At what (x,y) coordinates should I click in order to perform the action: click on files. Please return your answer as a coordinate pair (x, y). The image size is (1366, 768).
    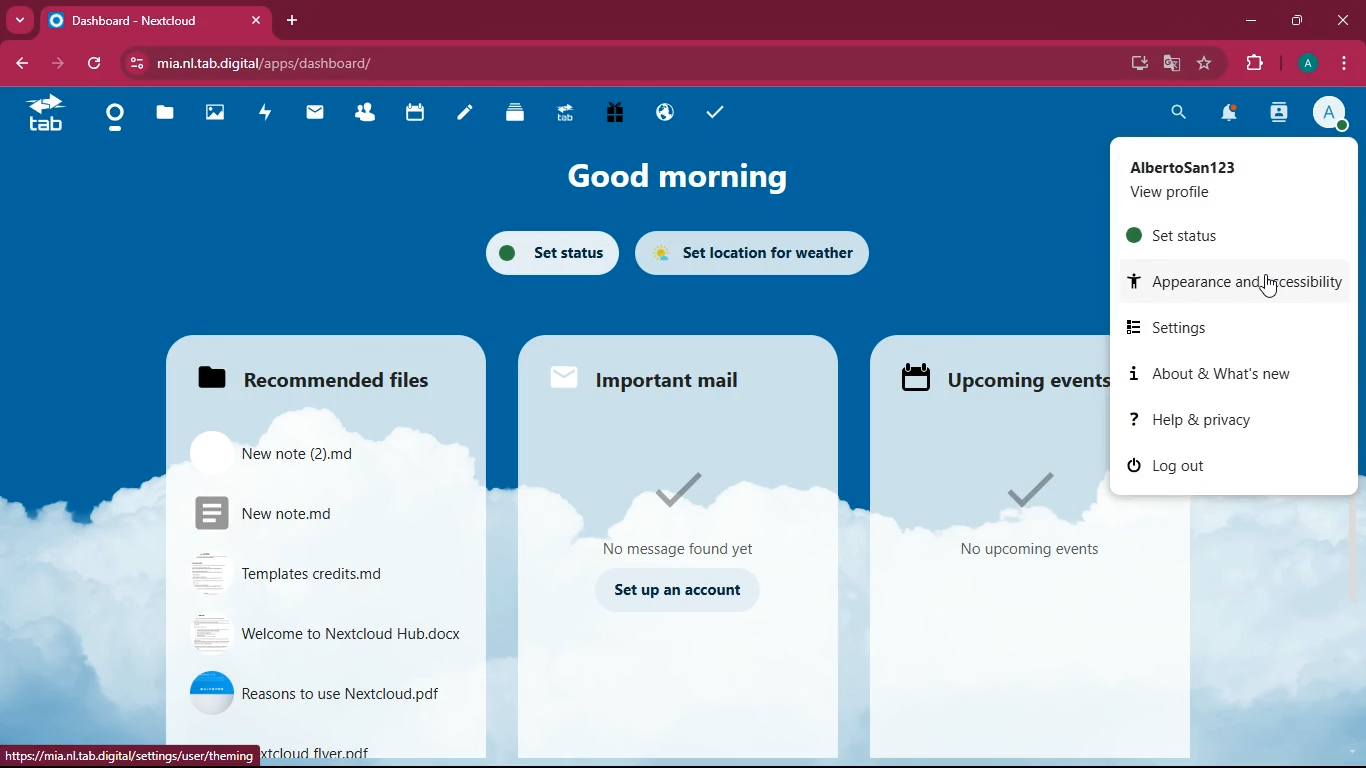
    Looking at the image, I should click on (167, 116).